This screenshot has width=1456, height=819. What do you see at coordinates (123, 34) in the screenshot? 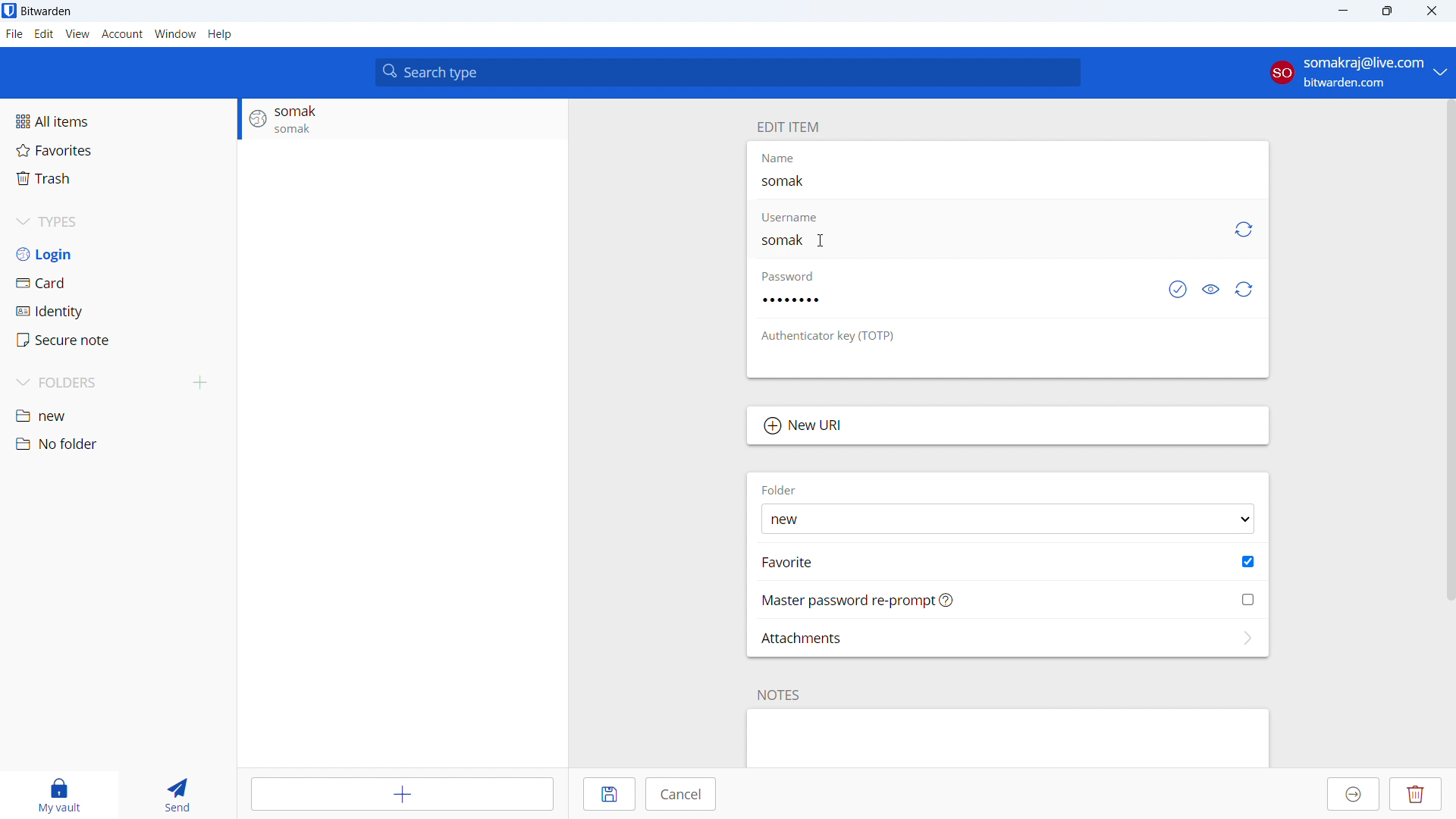
I see `account` at bounding box center [123, 34].